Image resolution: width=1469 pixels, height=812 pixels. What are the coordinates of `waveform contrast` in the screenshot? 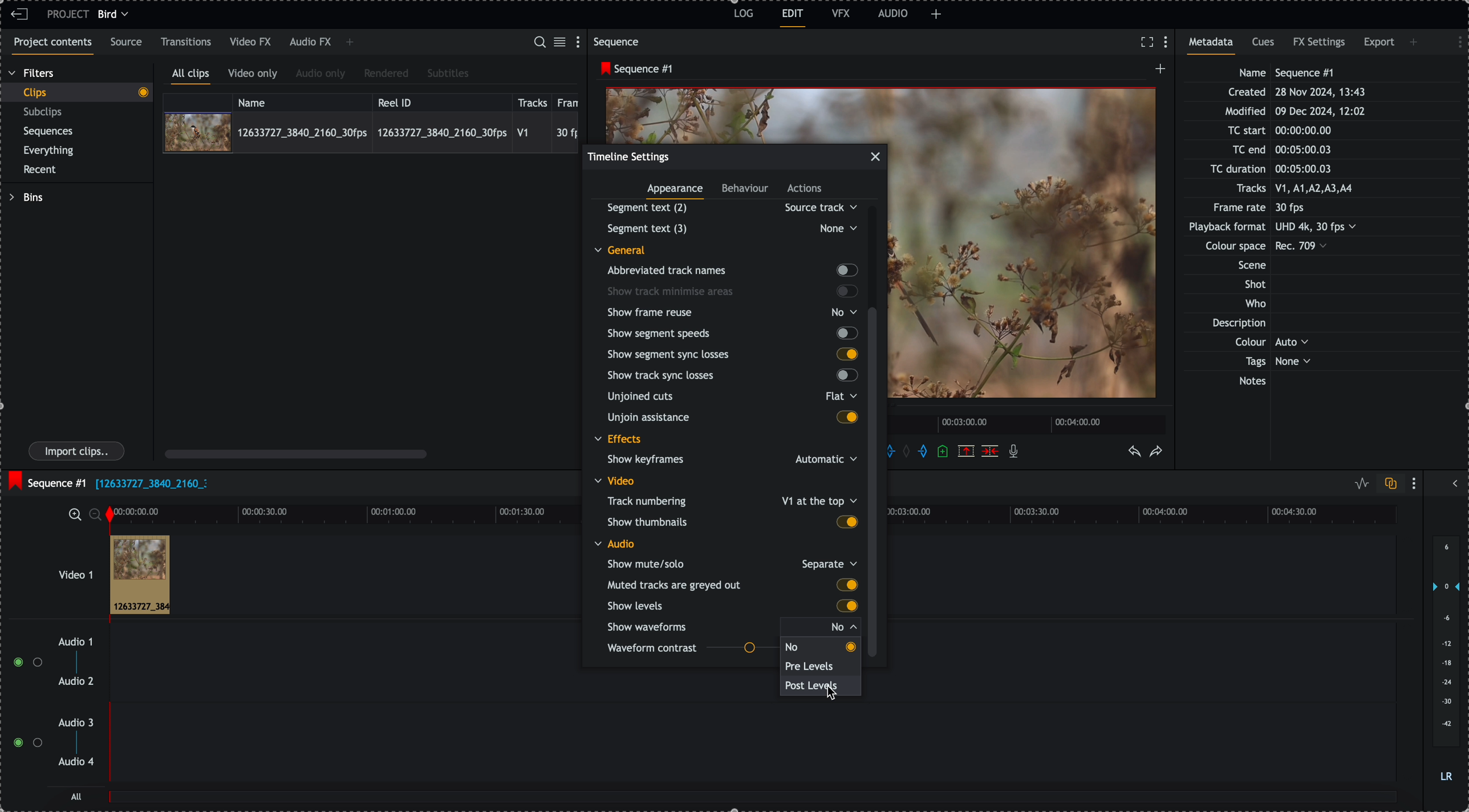 It's located at (691, 650).